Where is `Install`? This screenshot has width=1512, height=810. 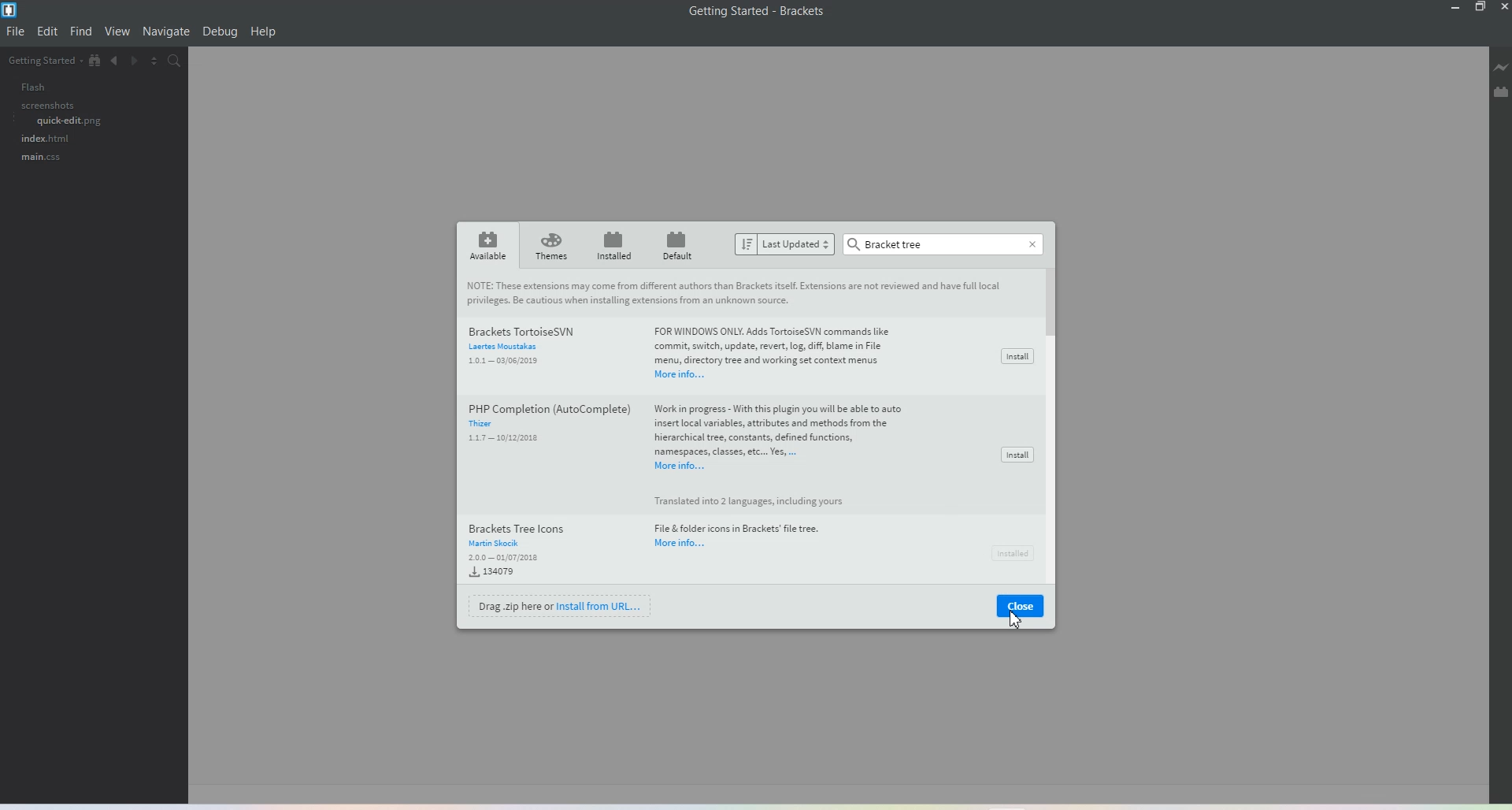
Install is located at coordinates (1012, 551).